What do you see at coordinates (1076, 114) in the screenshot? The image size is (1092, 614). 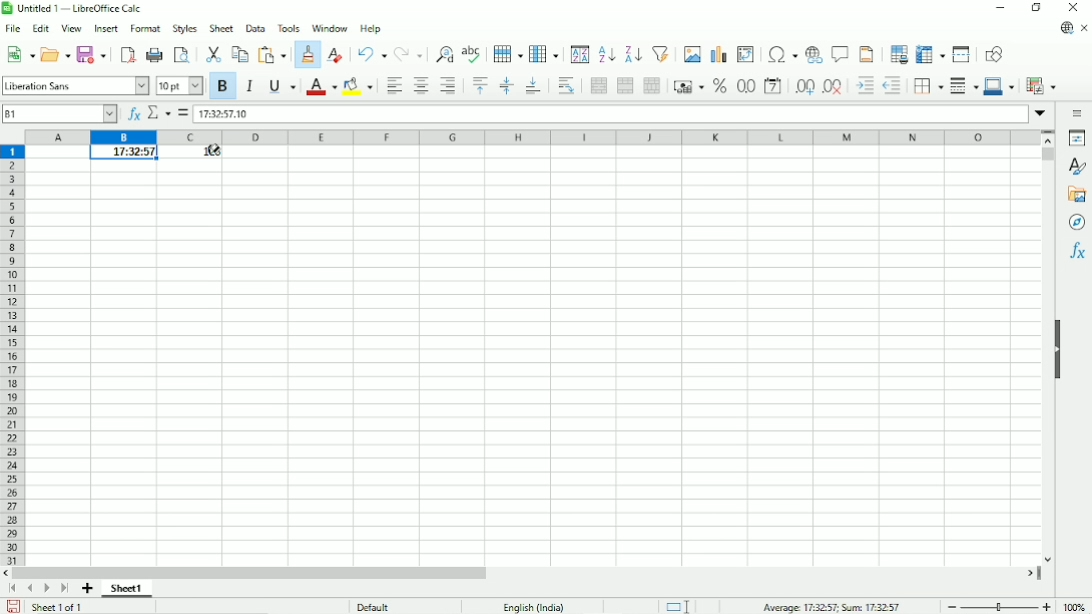 I see `Sidebar settings` at bounding box center [1076, 114].